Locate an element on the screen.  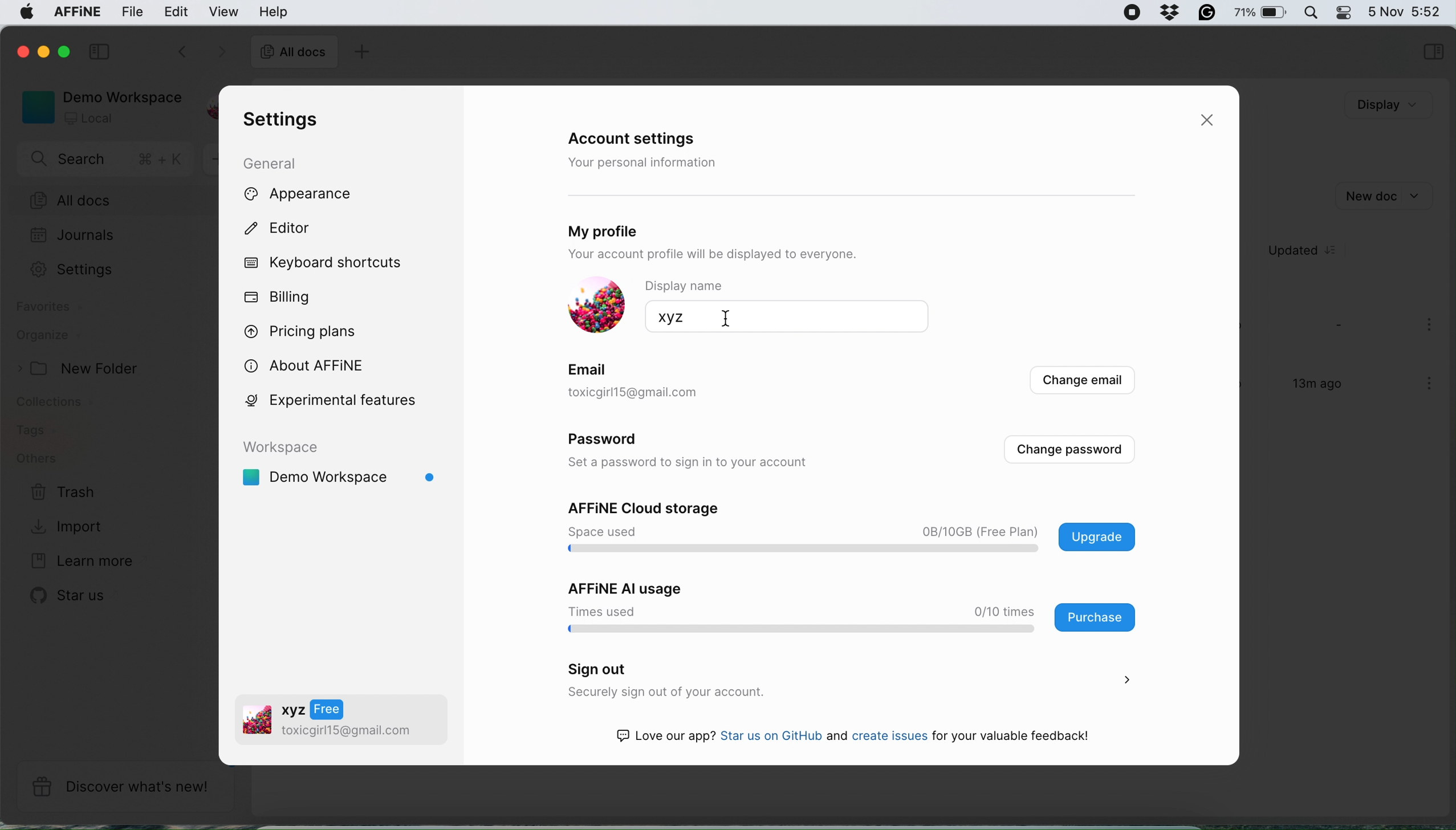
all docs is located at coordinates (112, 201).